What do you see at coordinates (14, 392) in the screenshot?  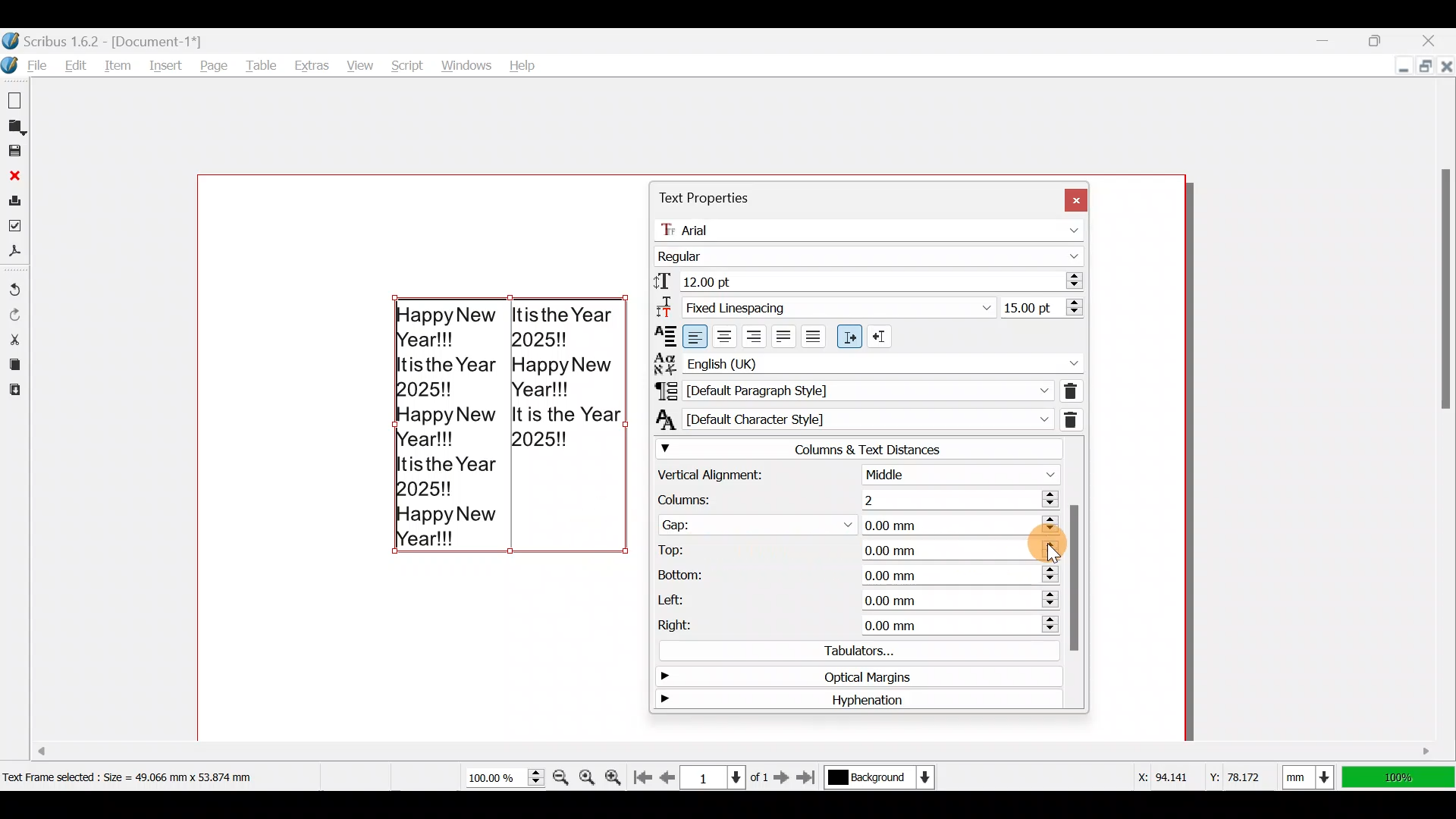 I see `Paste` at bounding box center [14, 392].